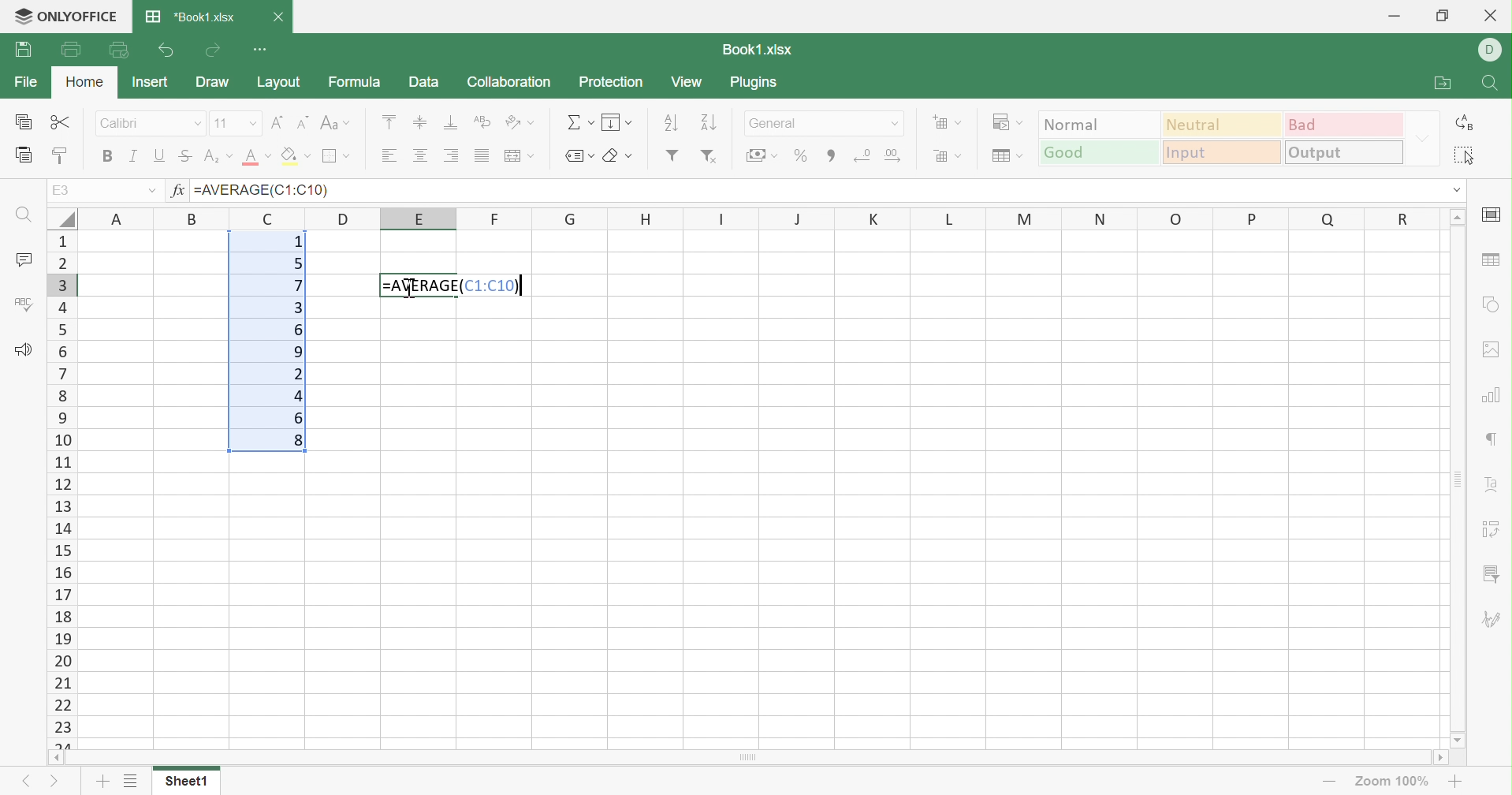 The height and width of the screenshot is (795, 1512). What do you see at coordinates (1492, 258) in the screenshot?
I see `Table settings` at bounding box center [1492, 258].